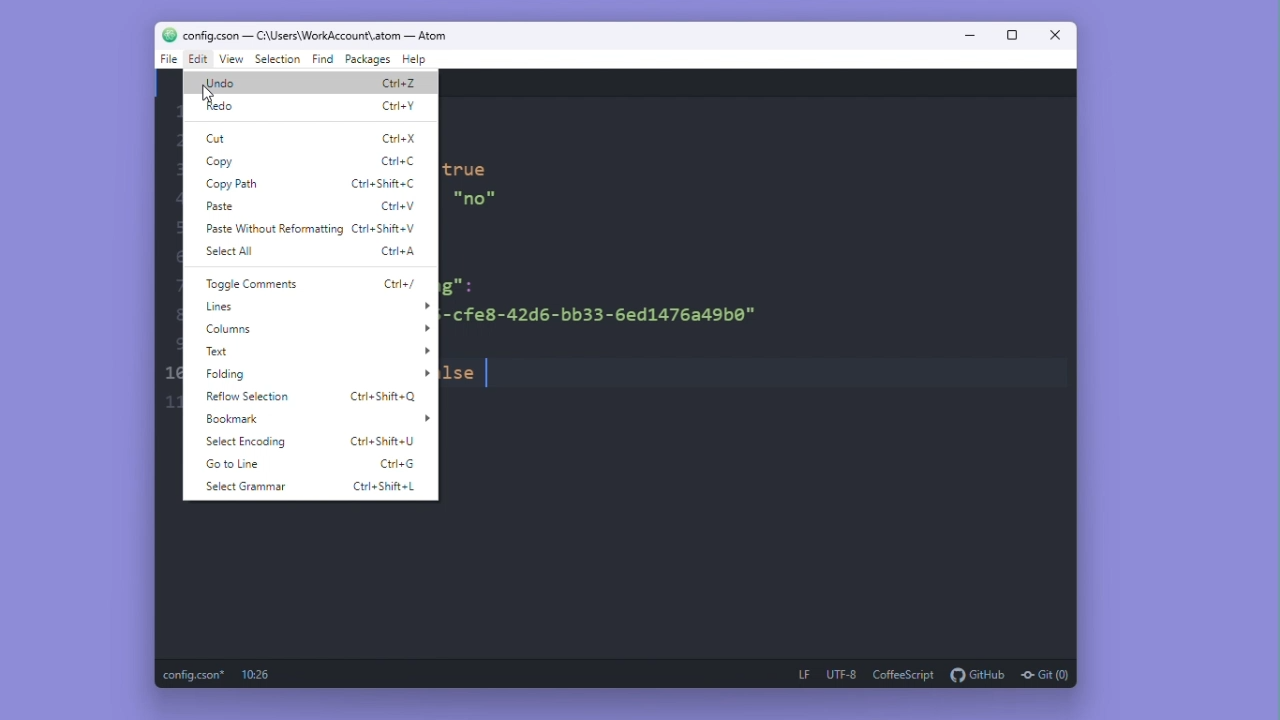 Image resolution: width=1280 pixels, height=720 pixels. What do you see at coordinates (387, 183) in the screenshot?
I see `ctrl+shift+c` at bounding box center [387, 183].